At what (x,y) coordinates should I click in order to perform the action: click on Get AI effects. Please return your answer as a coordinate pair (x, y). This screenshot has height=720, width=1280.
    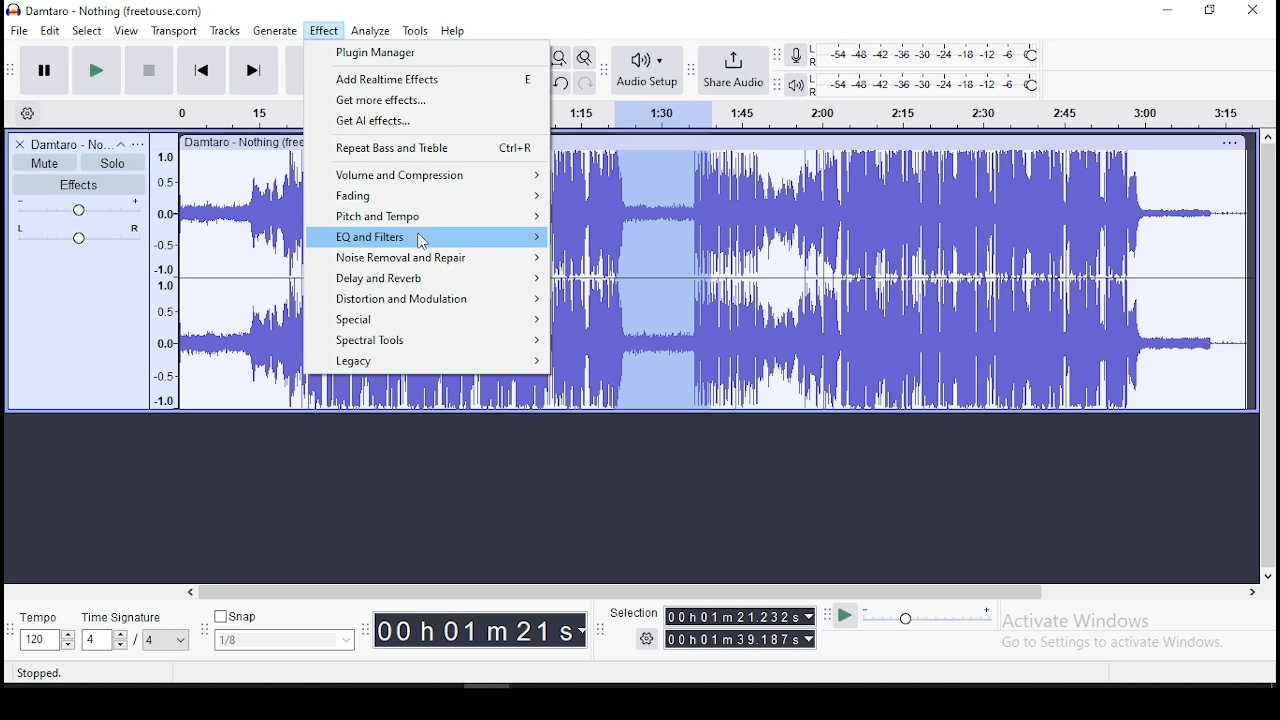
    Looking at the image, I should click on (427, 121).